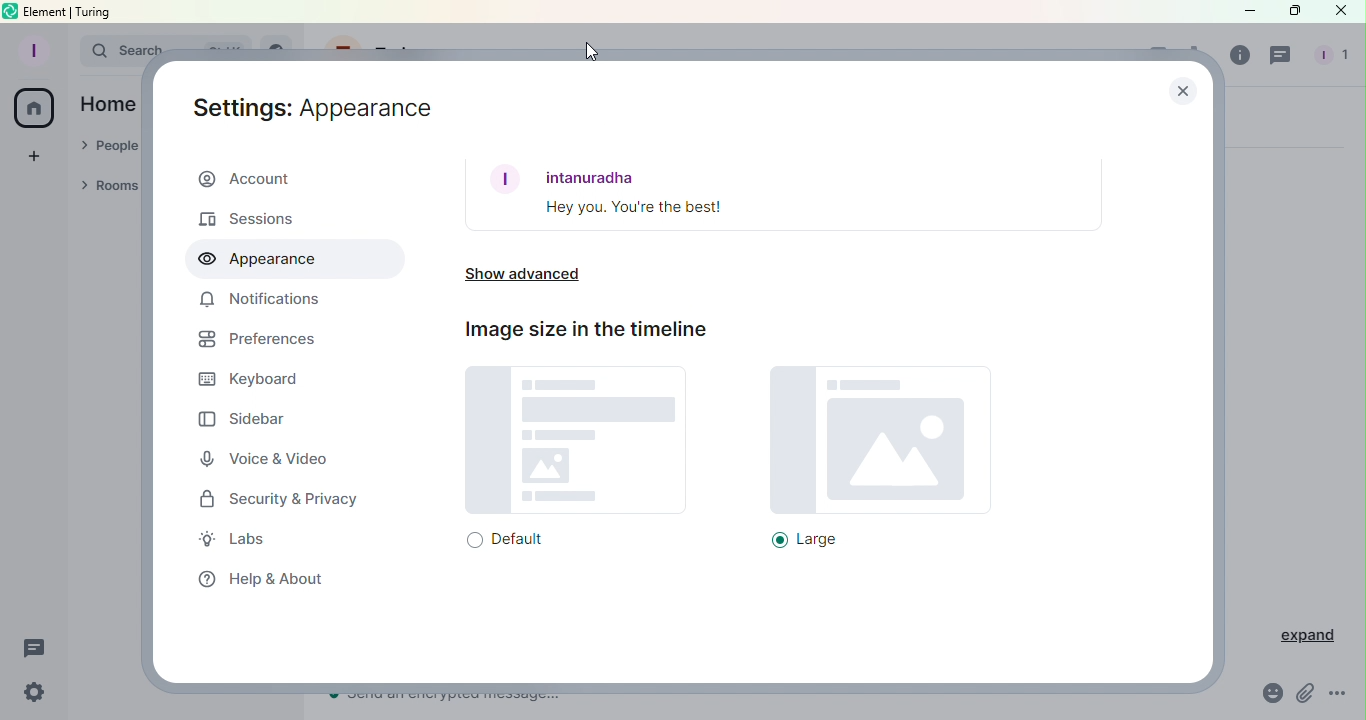  What do you see at coordinates (1247, 11) in the screenshot?
I see `Minimize` at bounding box center [1247, 11].